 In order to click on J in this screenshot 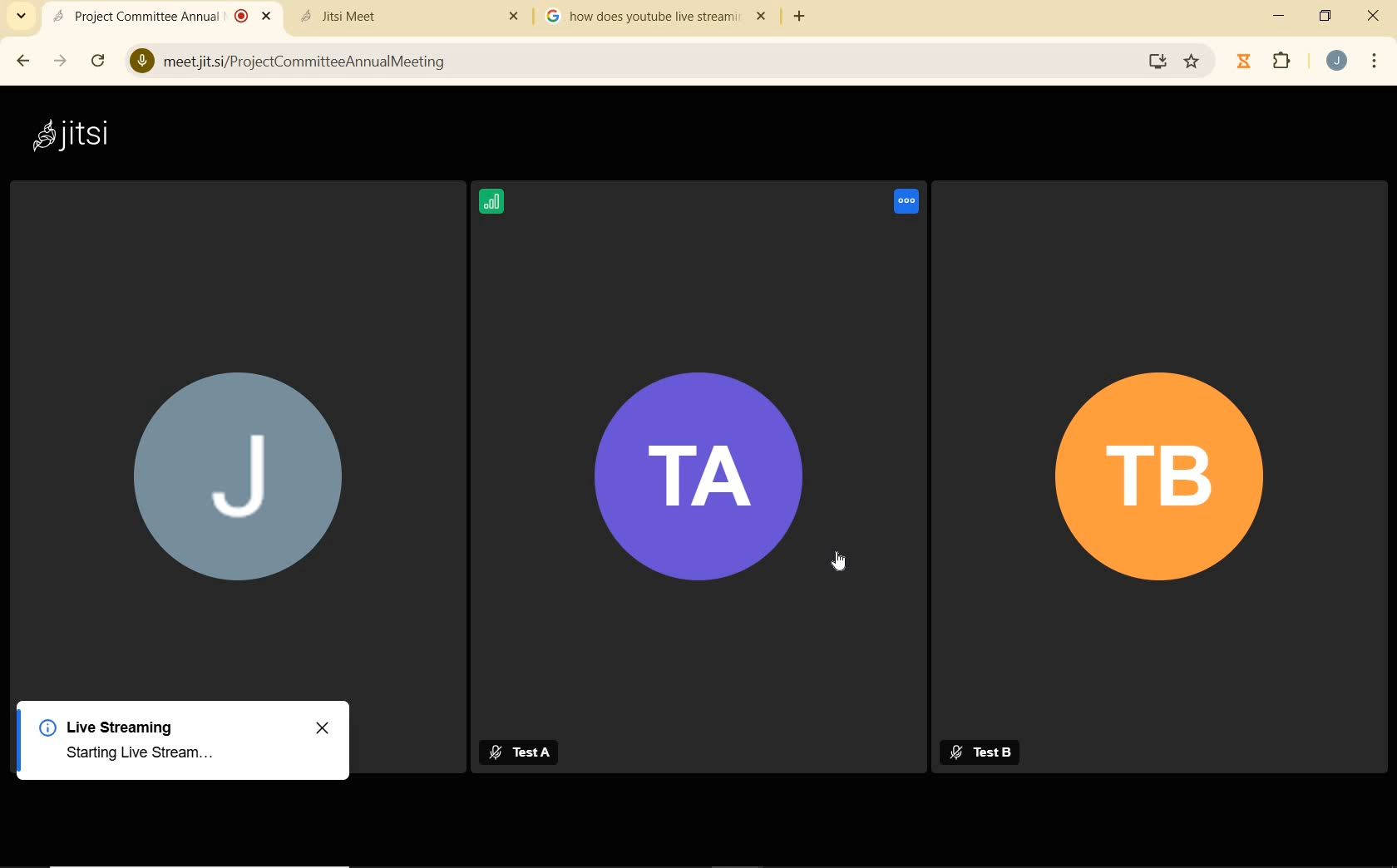, I will do `click(239, 480)`.